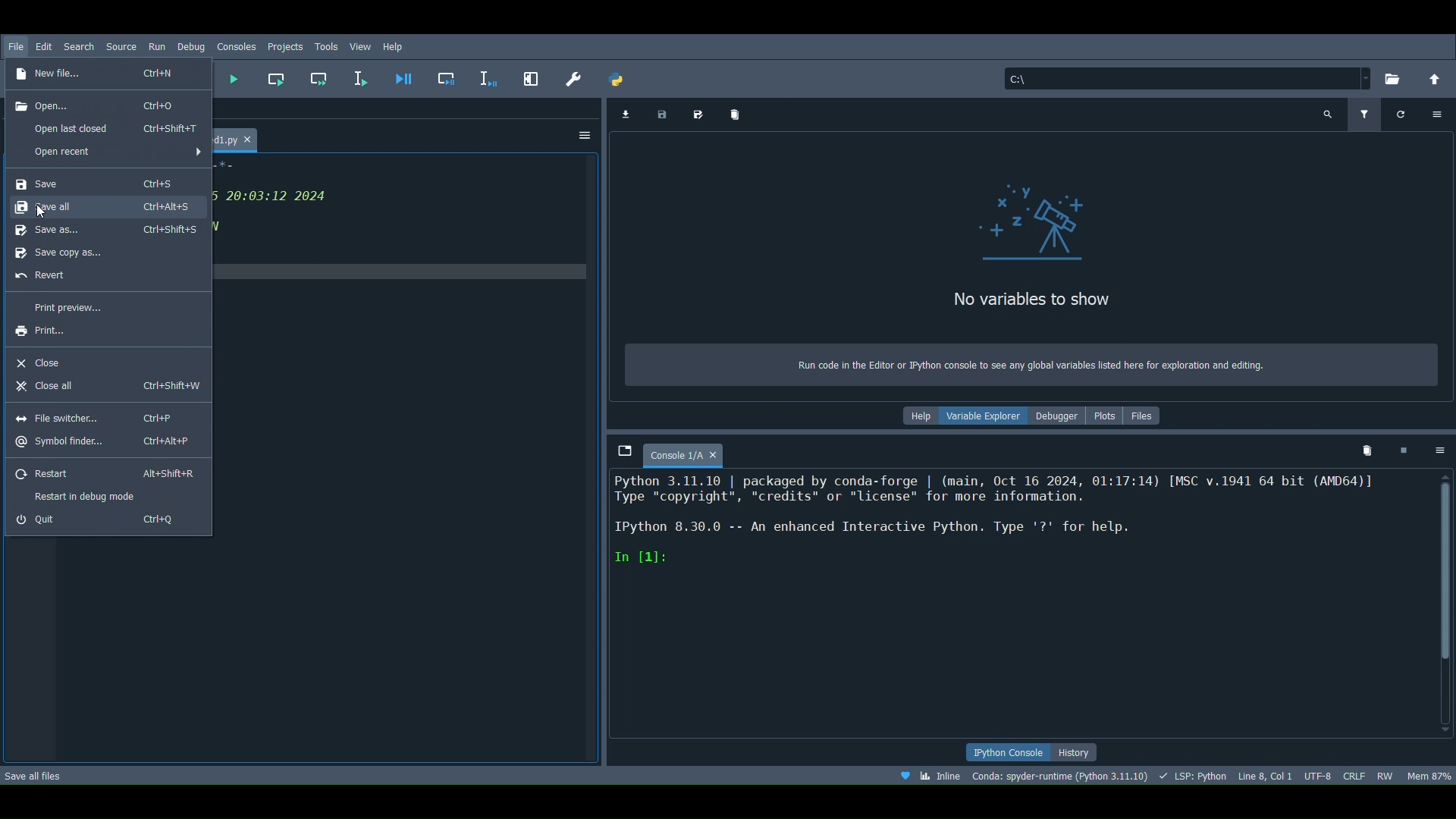 Image resolution: width=1456 pixels, height=819 pixels. Describe the element at coordinates (532, 74) in the screenshot. I see `Maximize current pane (Ctrl + Alt + Shift + M)` at that location.